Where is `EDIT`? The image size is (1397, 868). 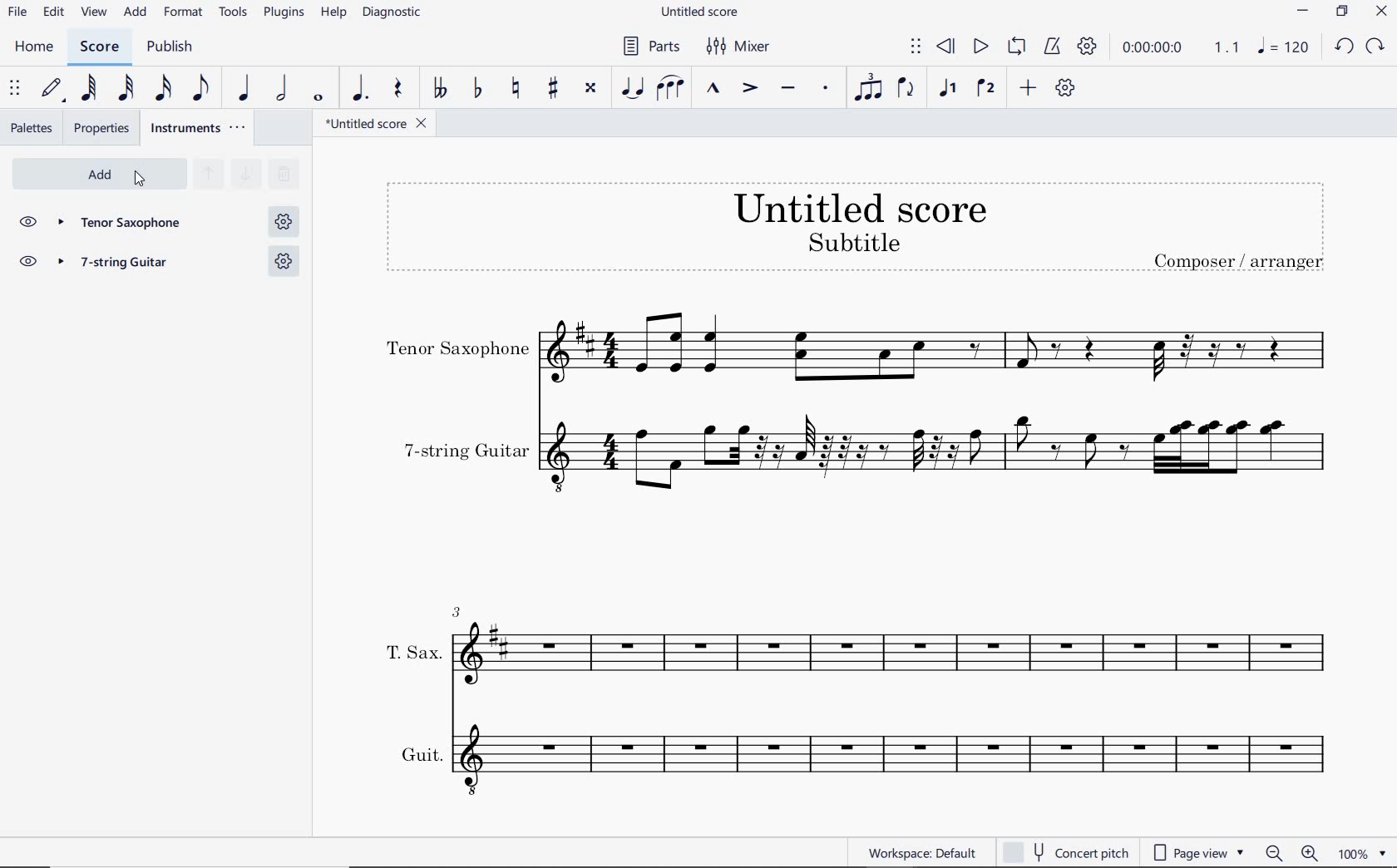 EDIT is located at coordinates (54, 12).